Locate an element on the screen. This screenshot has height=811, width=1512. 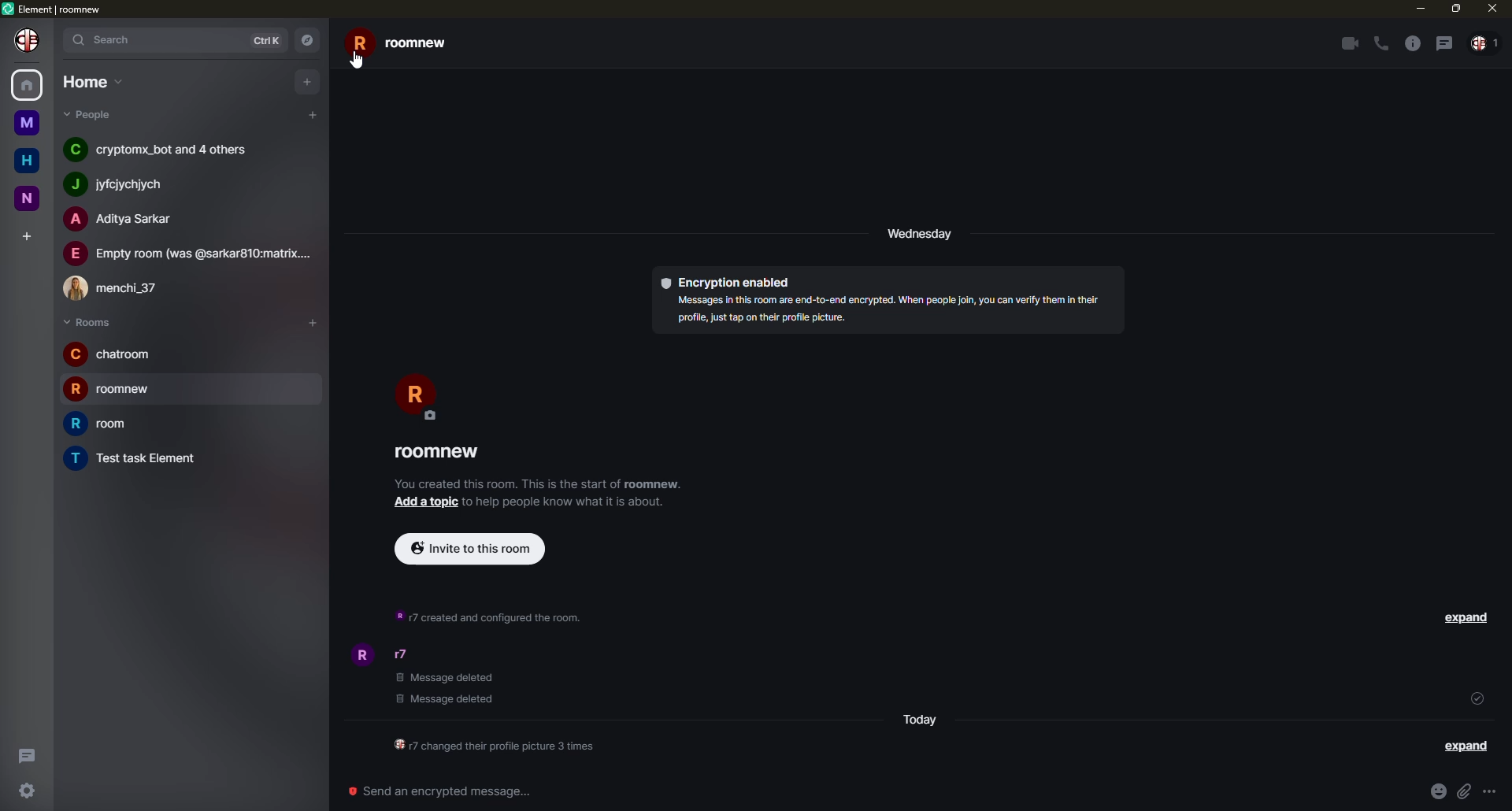
max is located at coordinates (1454, 9).